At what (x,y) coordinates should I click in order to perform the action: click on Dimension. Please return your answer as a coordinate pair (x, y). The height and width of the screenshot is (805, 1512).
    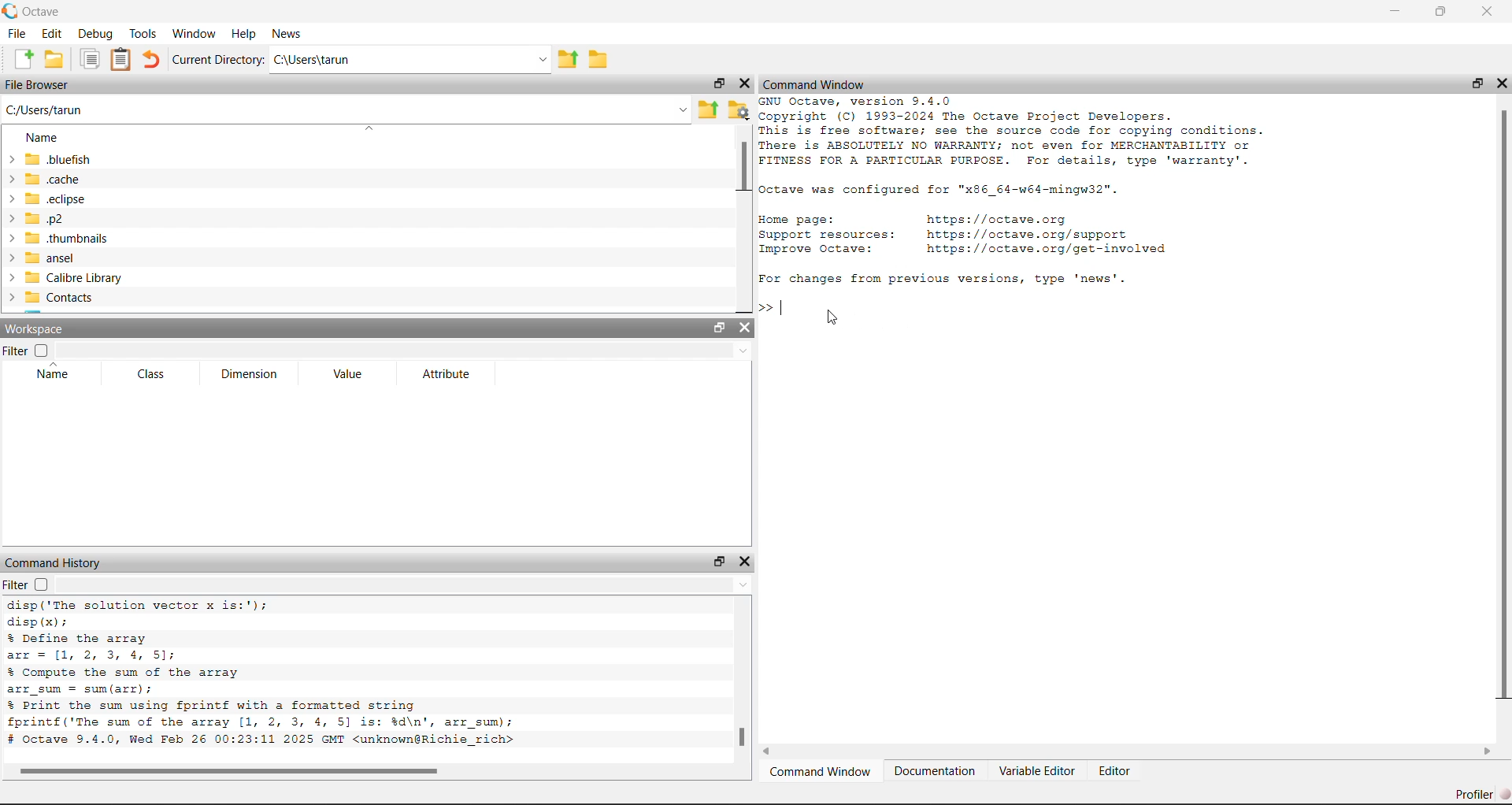
    Looking at the image, I should click on (257, 374).